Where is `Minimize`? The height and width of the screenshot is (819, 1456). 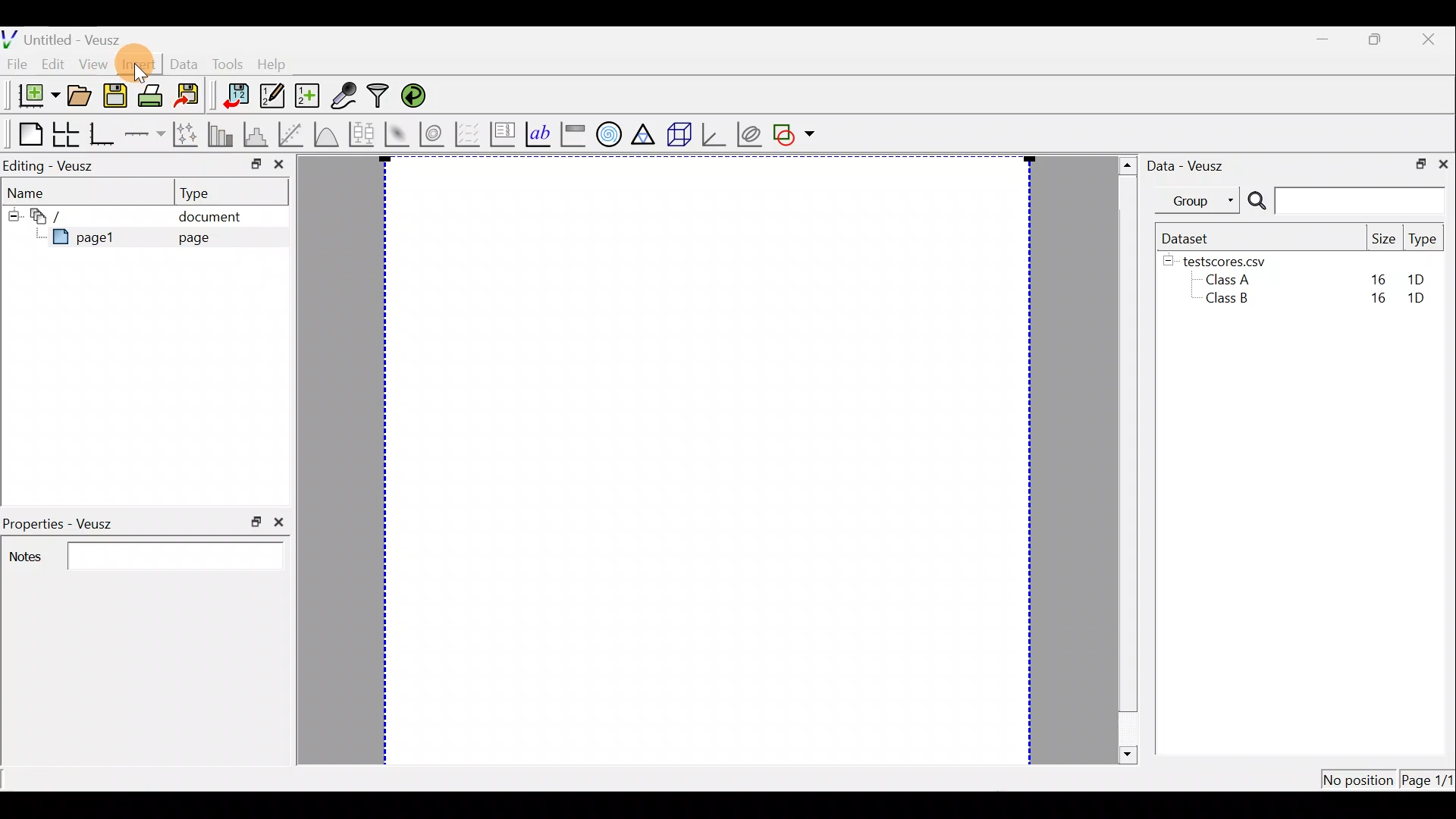 Minimize is located at coordinates (1323, 39).